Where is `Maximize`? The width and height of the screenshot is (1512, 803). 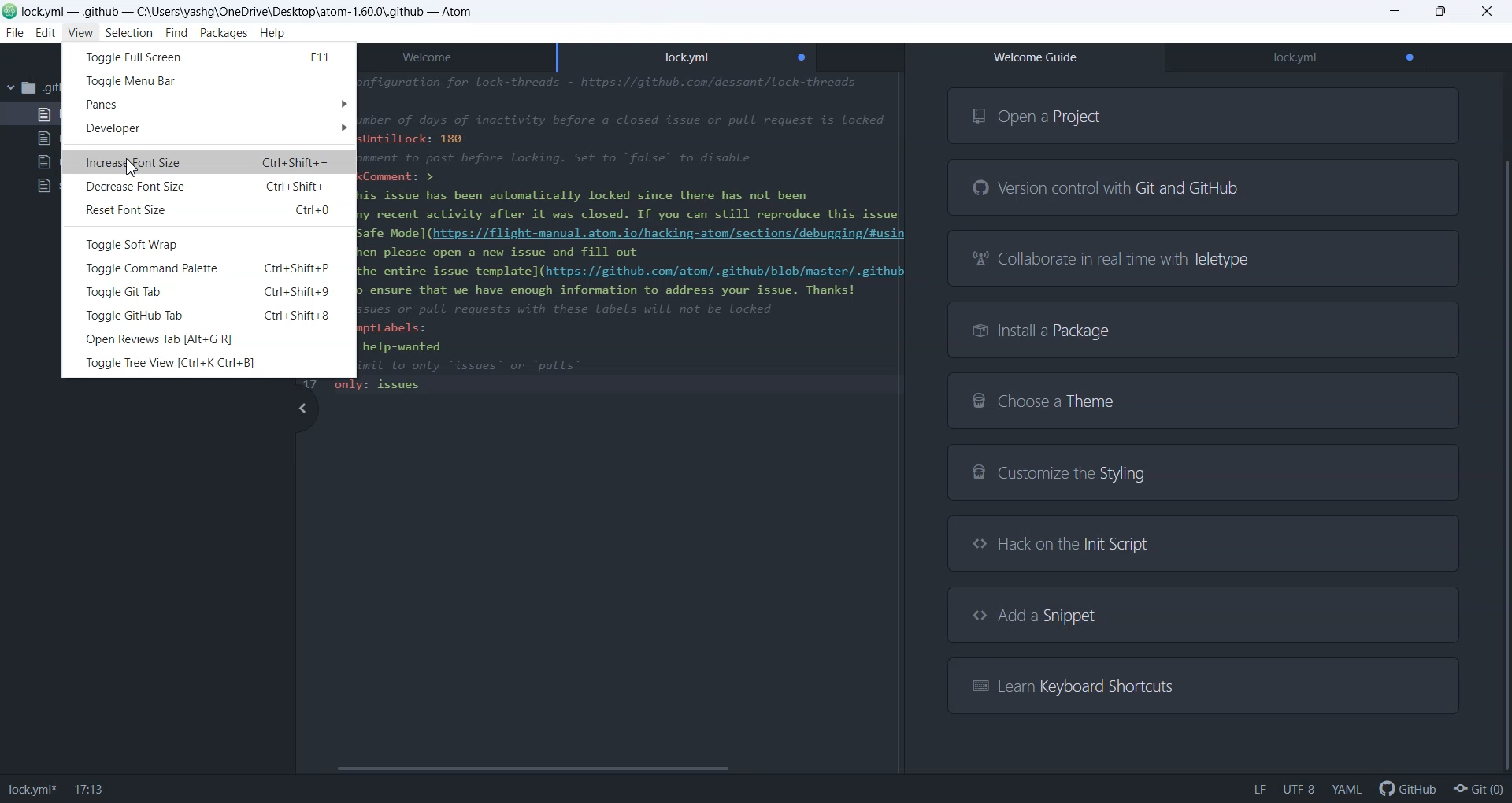 Maximize is located at coordinates (1441, 12).